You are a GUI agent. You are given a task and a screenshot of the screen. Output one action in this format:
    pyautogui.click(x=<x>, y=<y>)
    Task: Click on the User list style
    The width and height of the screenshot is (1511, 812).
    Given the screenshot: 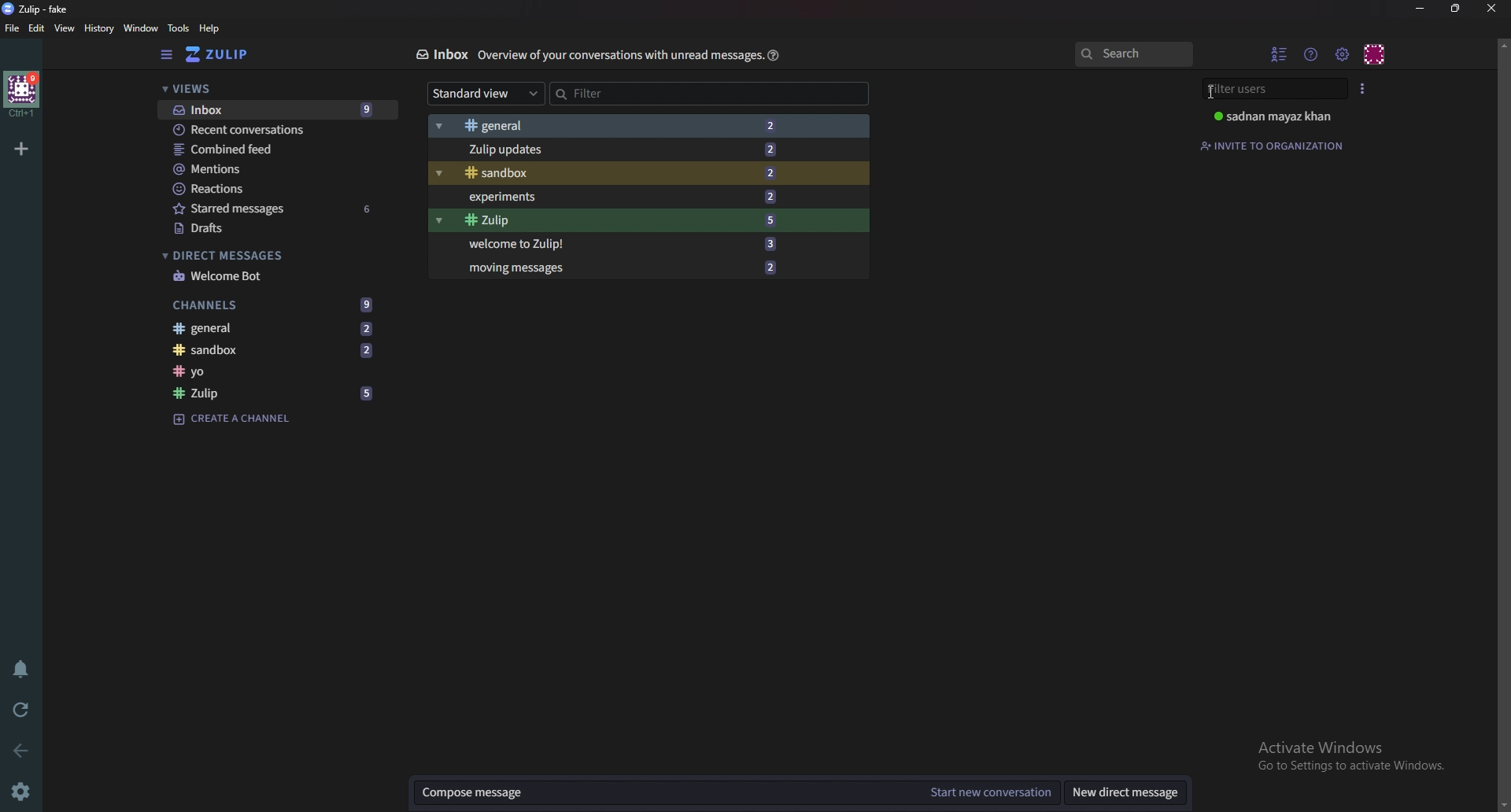 What is the action you would take?
    pyautogui.click(x=1365, y=88)
    